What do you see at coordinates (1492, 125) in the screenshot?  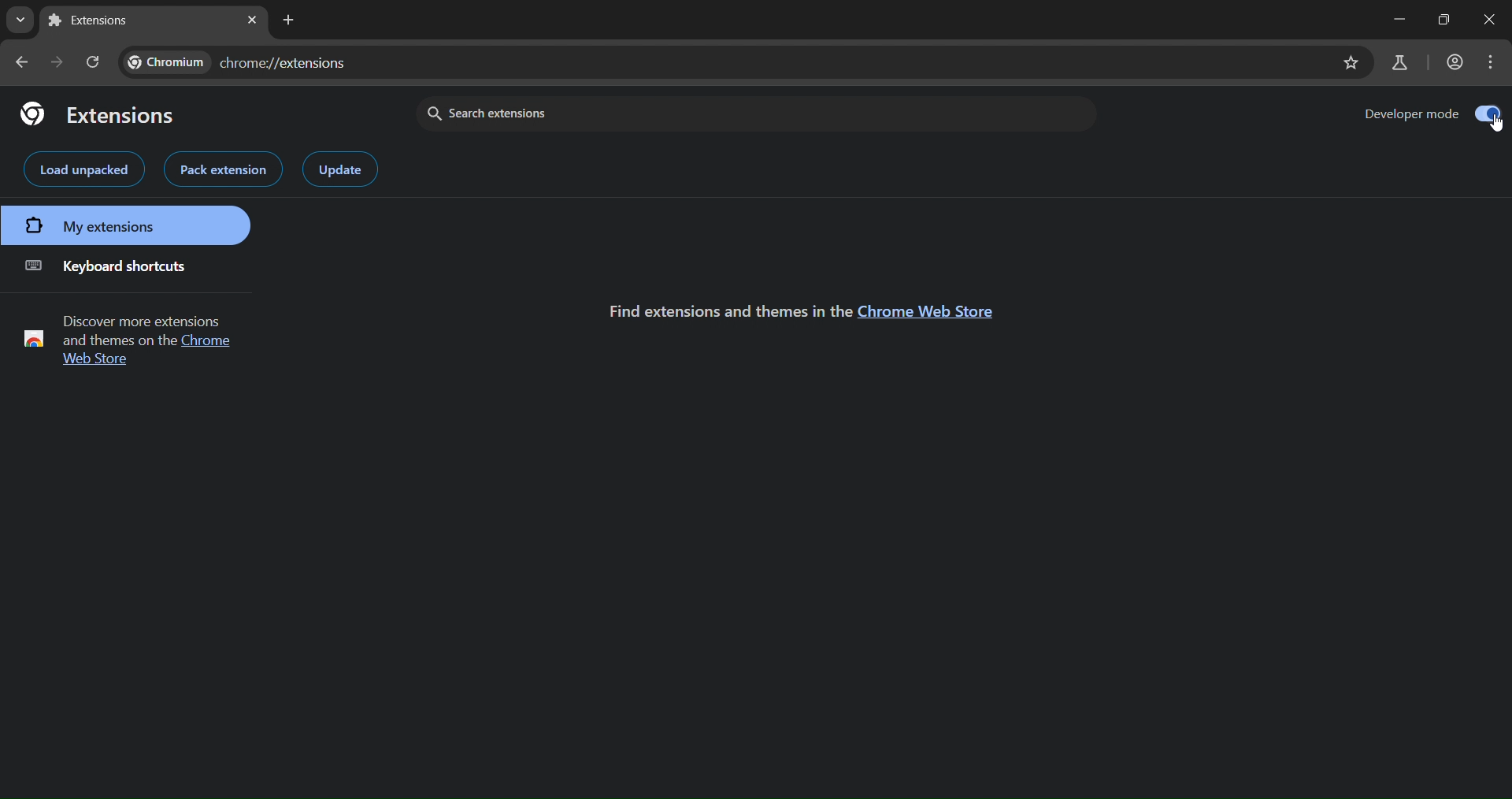 I see `cursor` at bounding box center [1492, 125].